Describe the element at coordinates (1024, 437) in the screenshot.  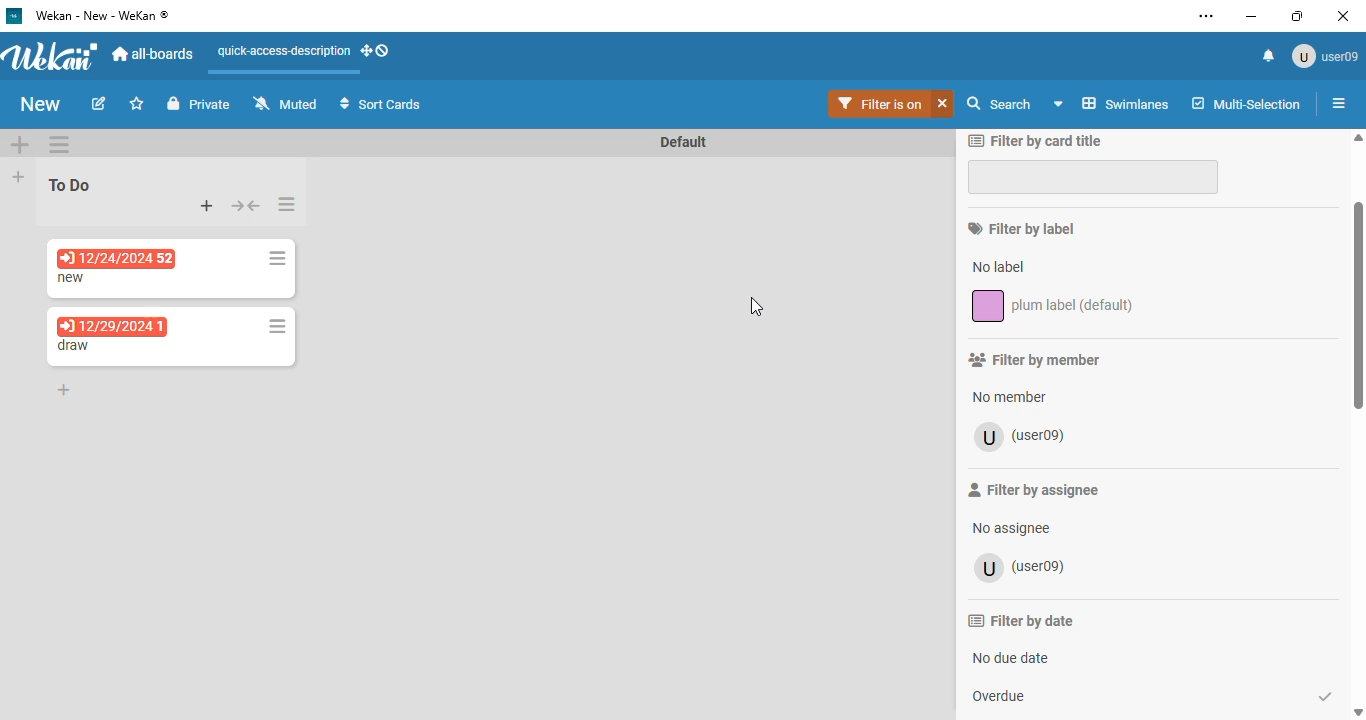
I see `user09` at that location.